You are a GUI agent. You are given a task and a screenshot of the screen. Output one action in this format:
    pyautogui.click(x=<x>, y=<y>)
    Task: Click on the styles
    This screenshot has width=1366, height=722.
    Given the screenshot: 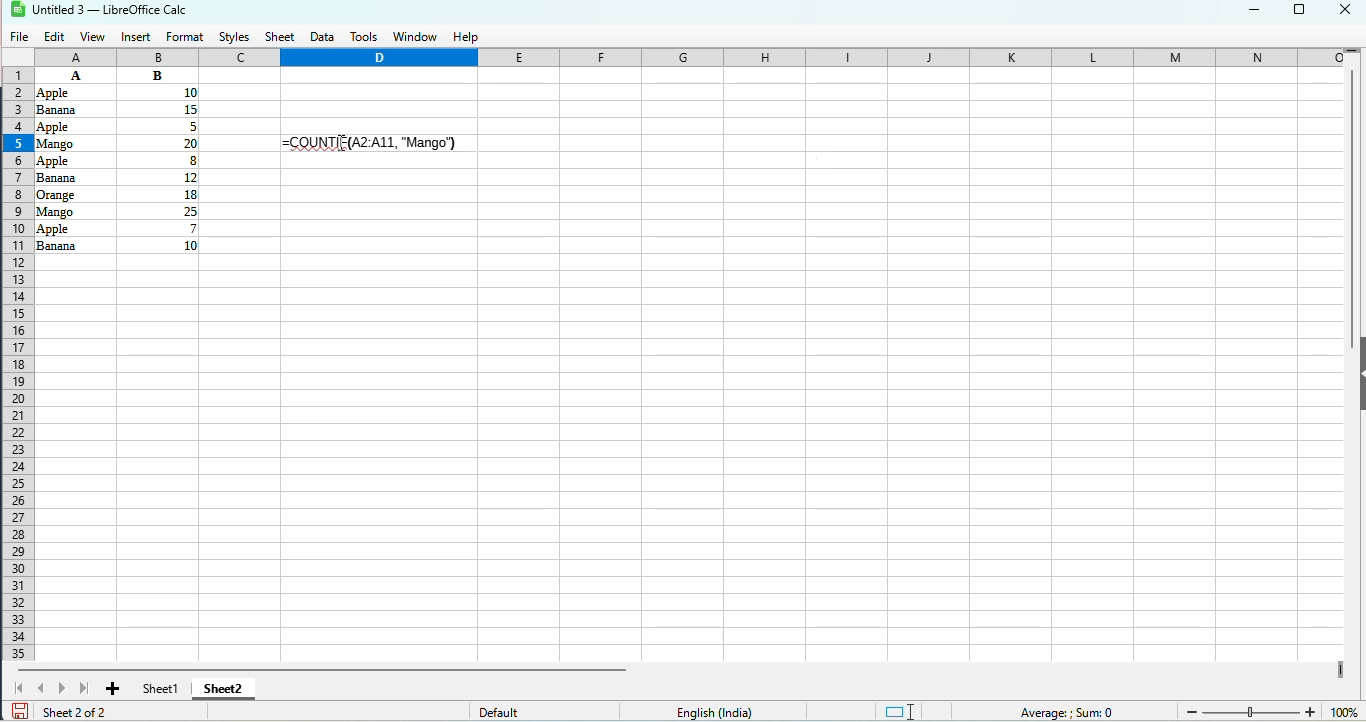 What is the action you would take?
    pyautogui.click(x=235, y=38)
    